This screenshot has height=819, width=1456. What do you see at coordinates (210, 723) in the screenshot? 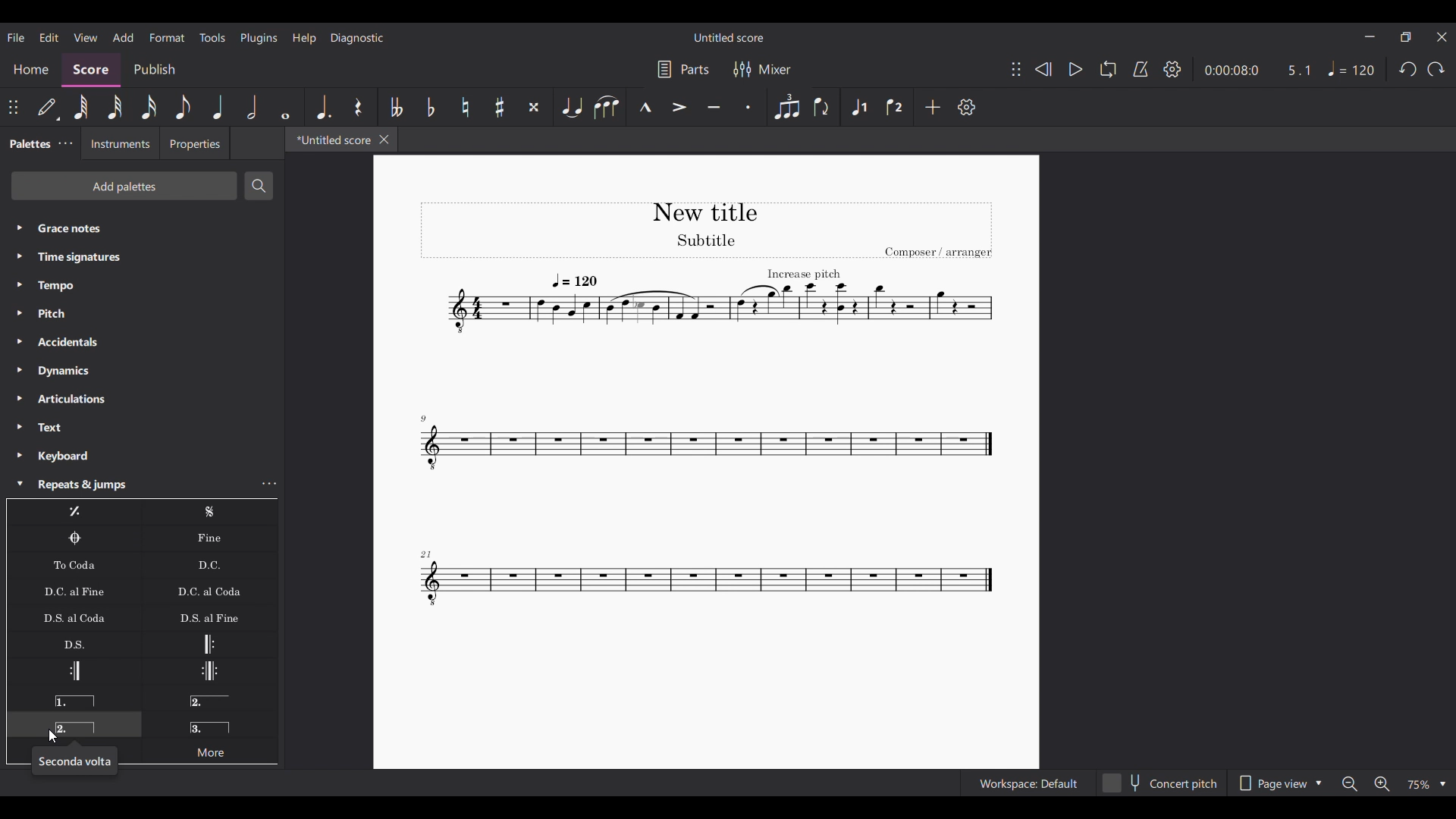
I see `Terza volta` at bounding box center [210, 723].